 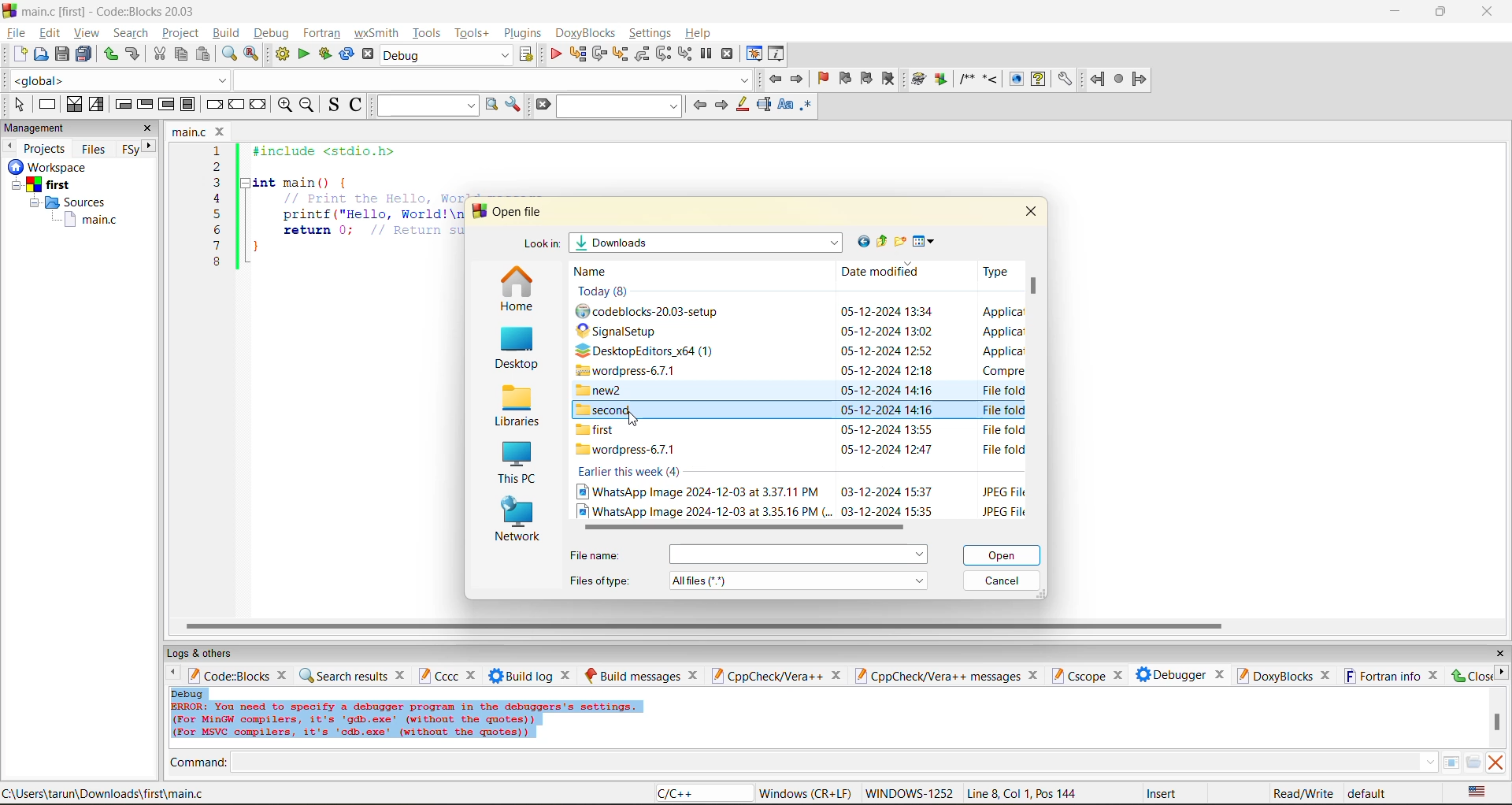 I want to click on exit condition loop, so click(x=145, y=106).